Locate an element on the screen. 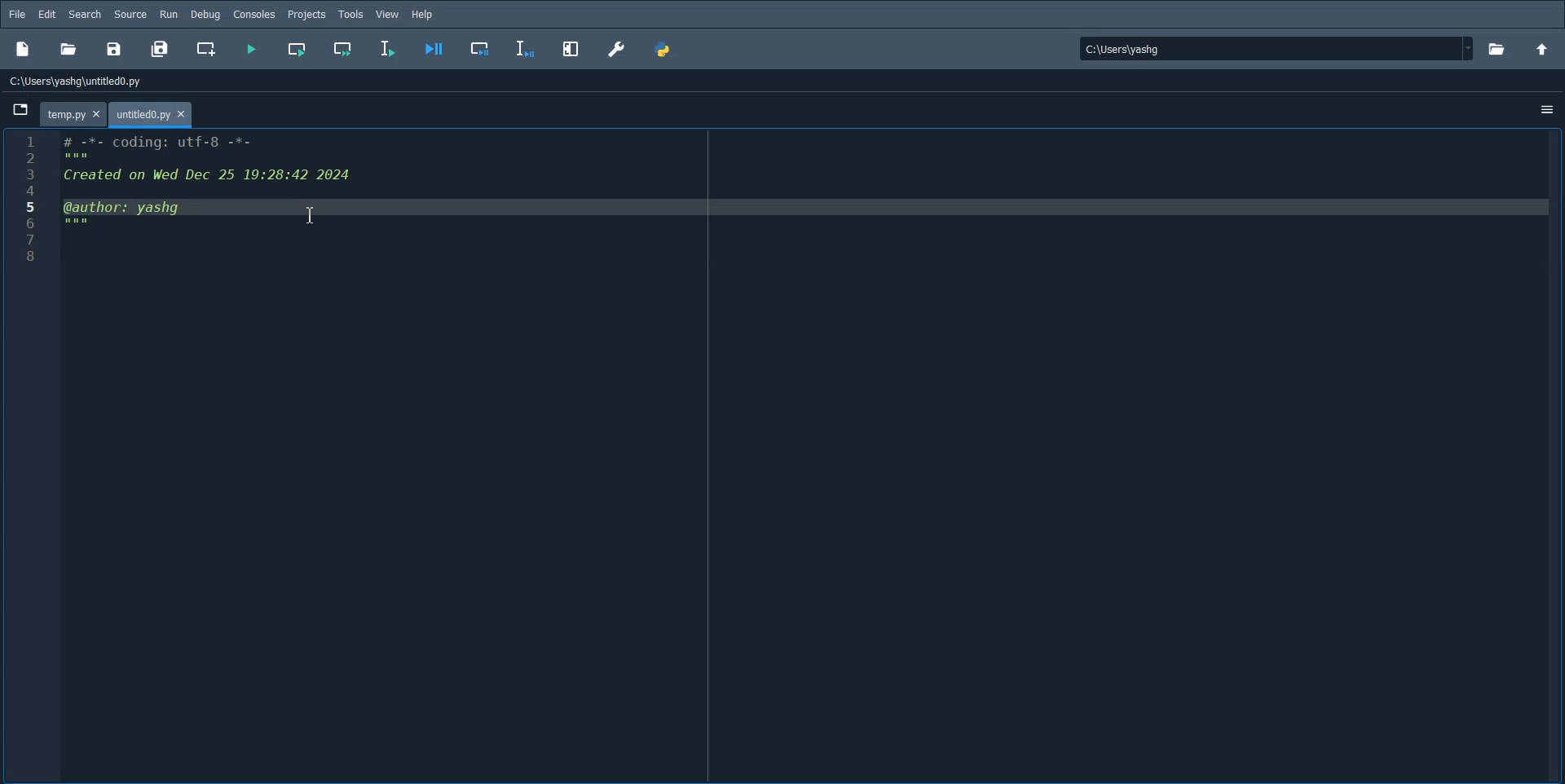 The width and height of the screenshot is (1565, 784). New Project is located at coordinates (23, 49).